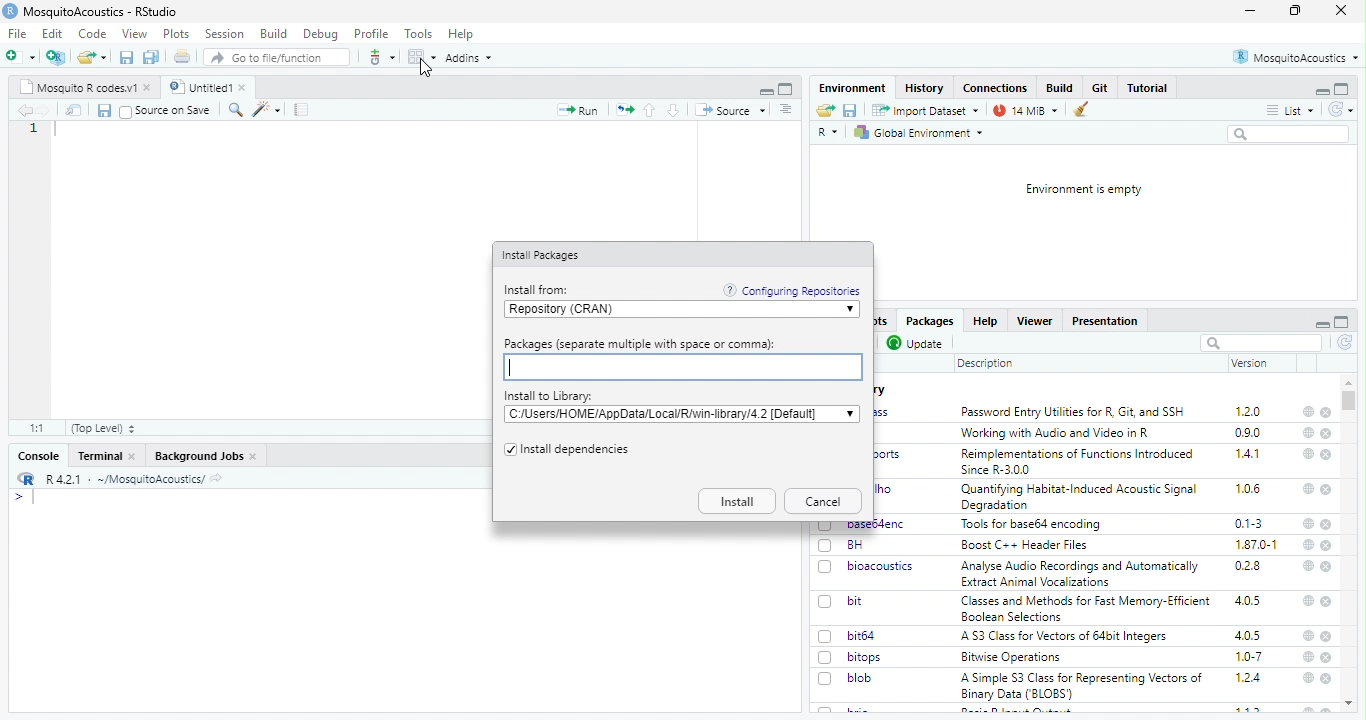 The width and height of the screenshot is (1366, 720). Describe the element at coordinates (862, 636) in the screenshot. I see `bit64` at that location.